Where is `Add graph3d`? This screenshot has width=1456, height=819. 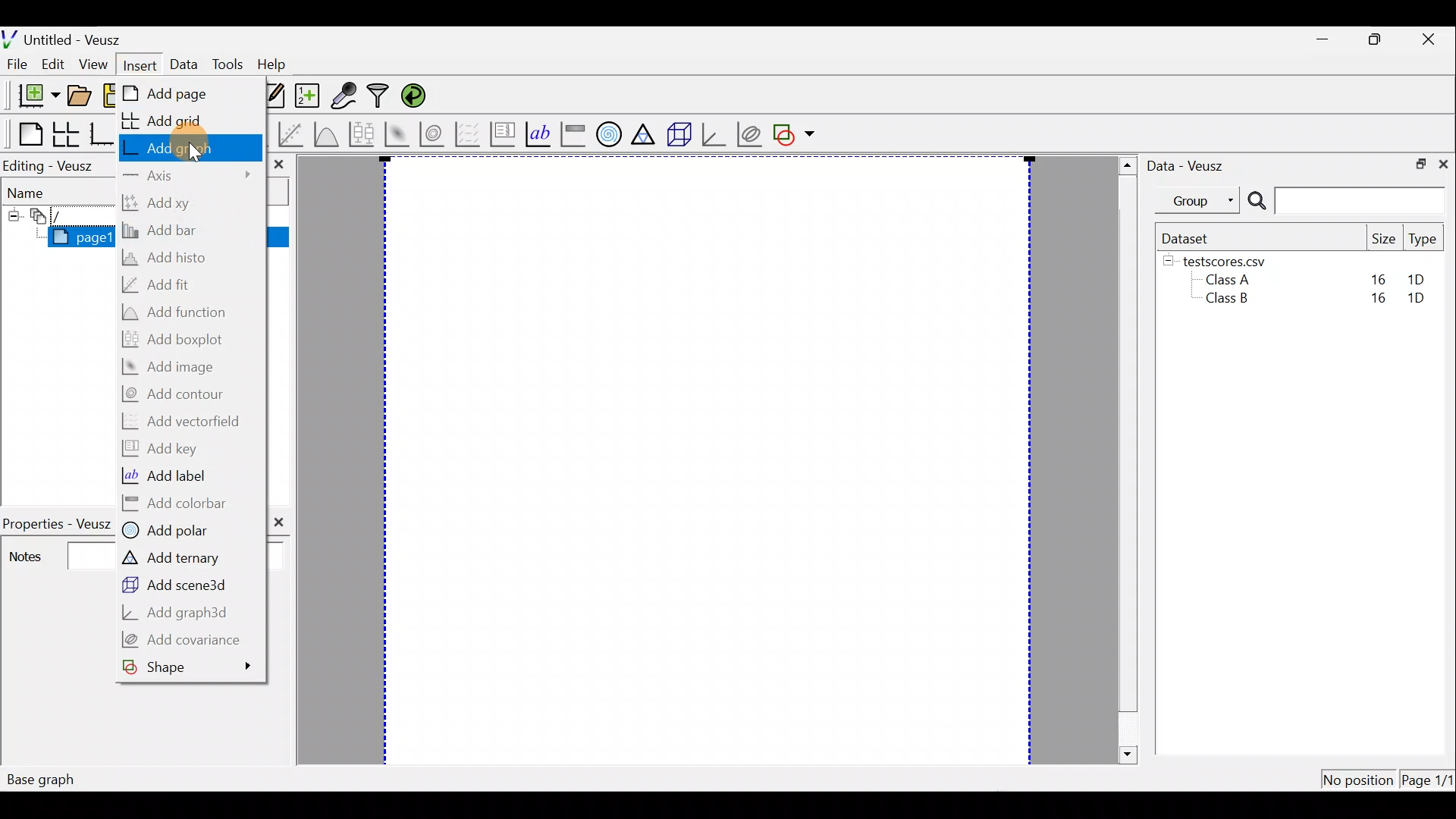 Add graph3d is located at coordinates (178, 613).